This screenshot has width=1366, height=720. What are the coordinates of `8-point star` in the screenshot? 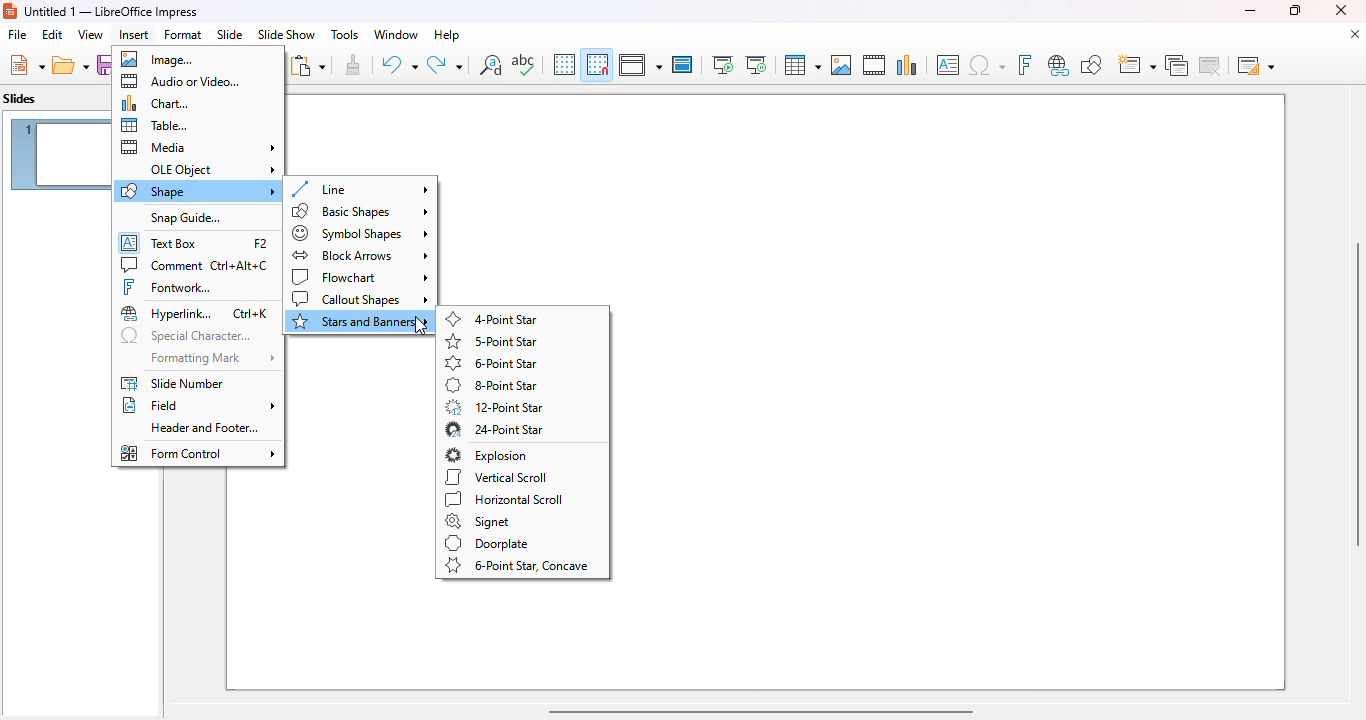 It's located at (491, 385).